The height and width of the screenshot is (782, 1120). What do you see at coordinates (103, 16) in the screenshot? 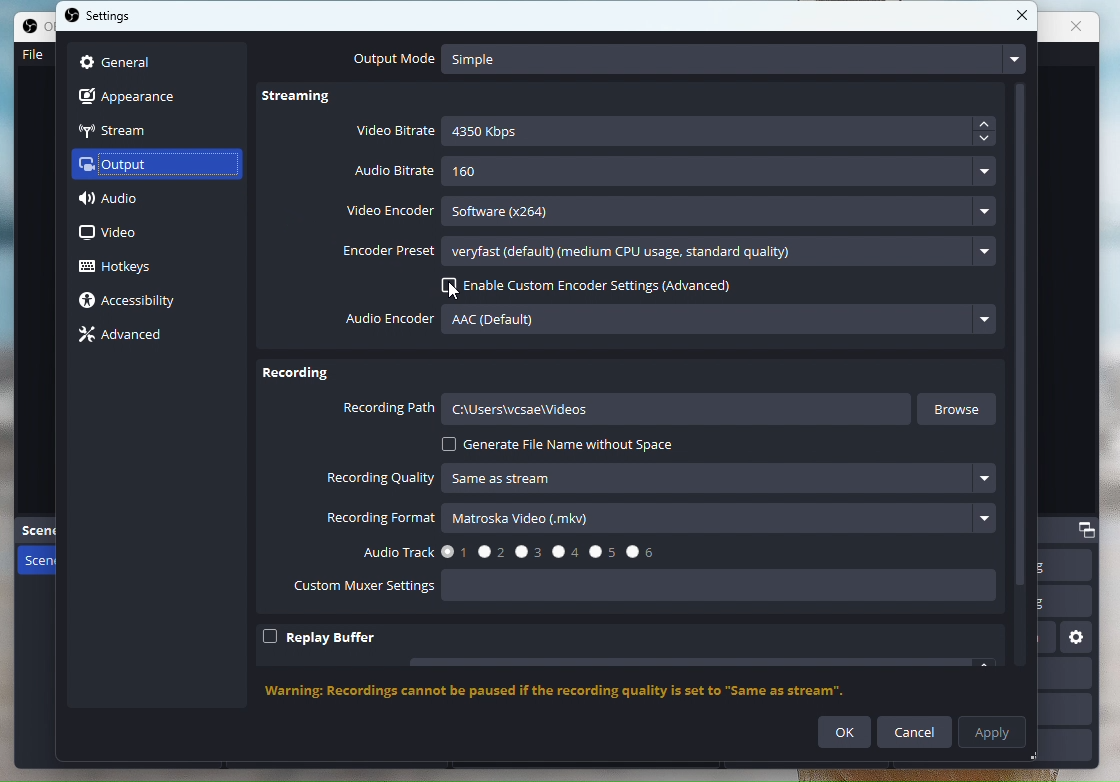
I see `Settings` at bounding box center [103, 16].